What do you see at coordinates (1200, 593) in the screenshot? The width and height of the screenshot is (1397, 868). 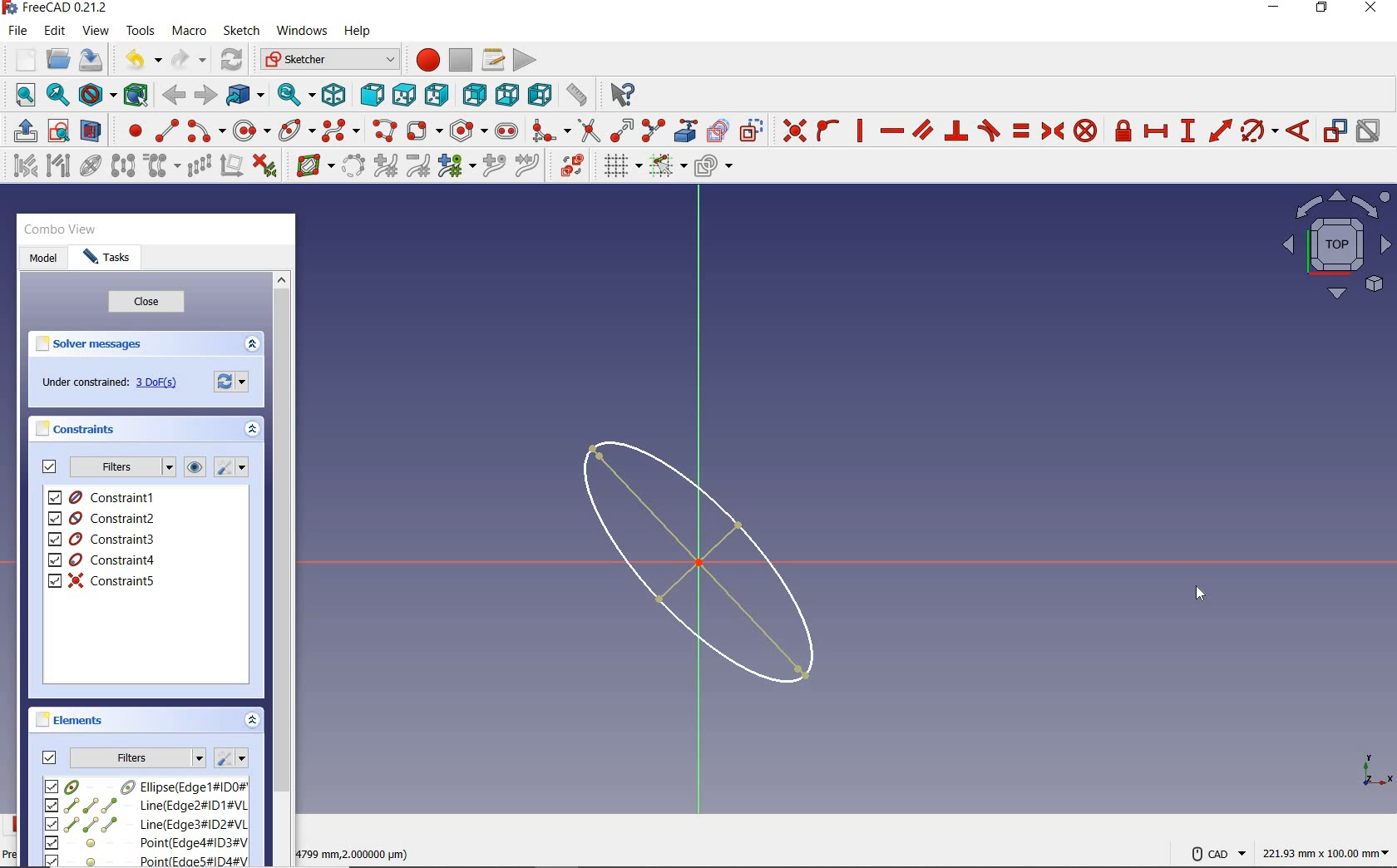 I see `cursor` at bounding box center [1200, 593].